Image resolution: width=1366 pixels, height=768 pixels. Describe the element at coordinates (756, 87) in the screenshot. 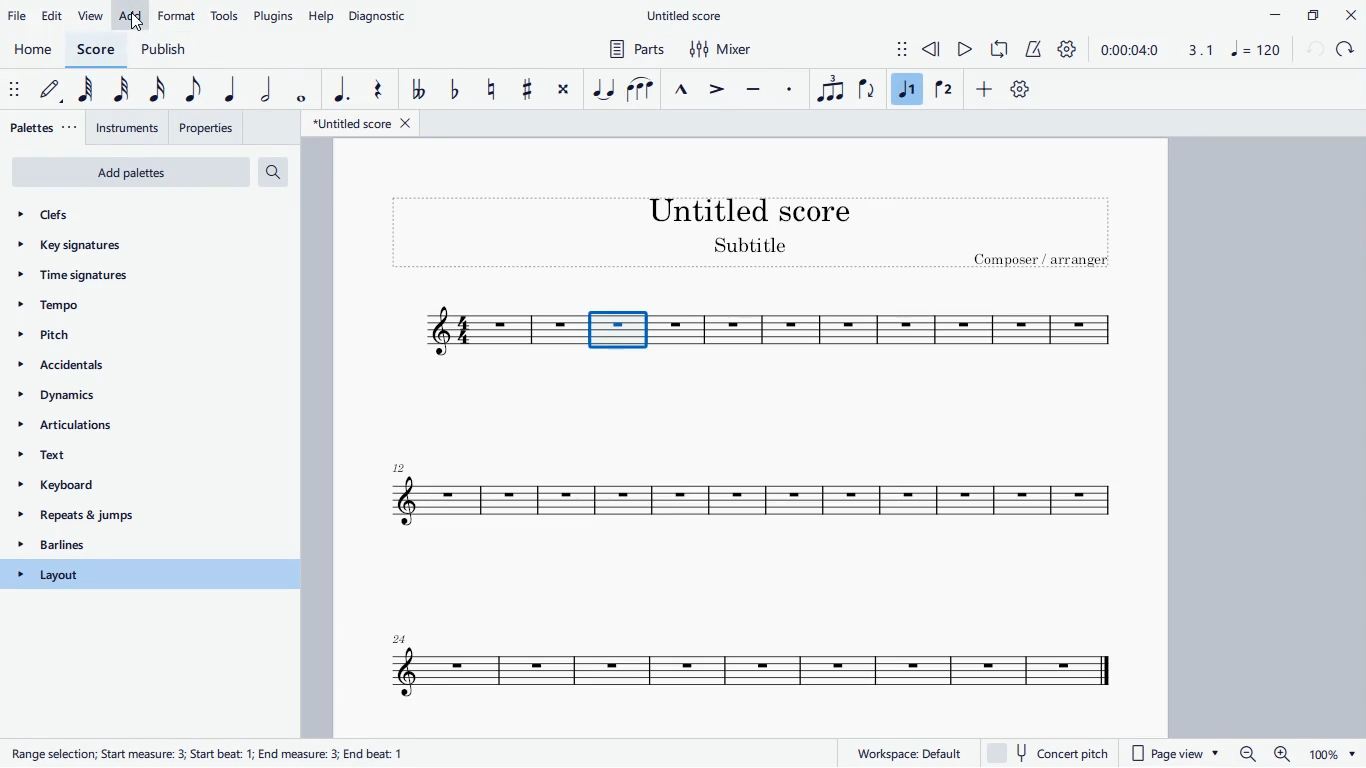

I see `tenuto` at that location.